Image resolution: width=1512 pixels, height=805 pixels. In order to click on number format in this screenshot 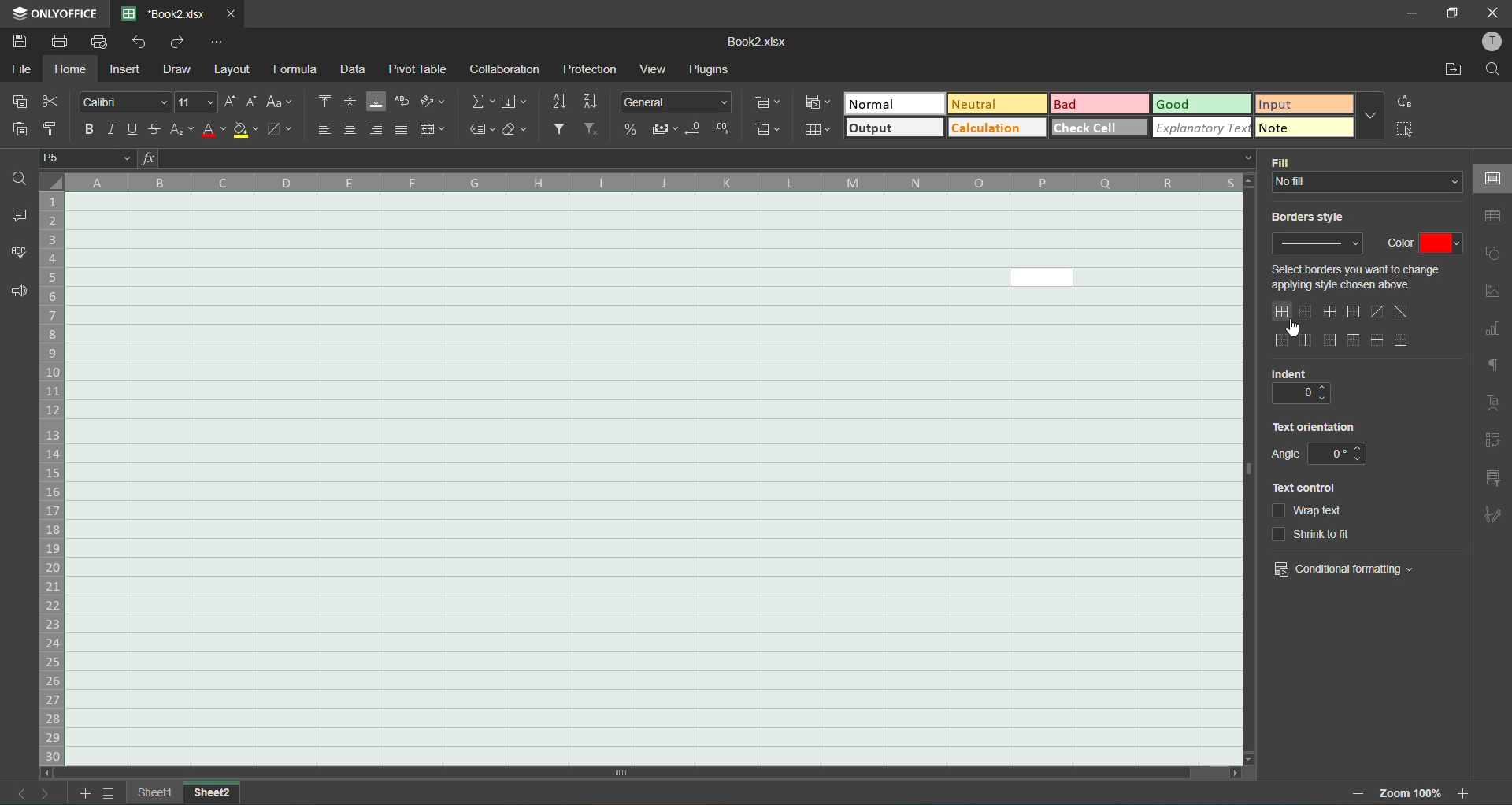, I will do `click(680, 103)`.